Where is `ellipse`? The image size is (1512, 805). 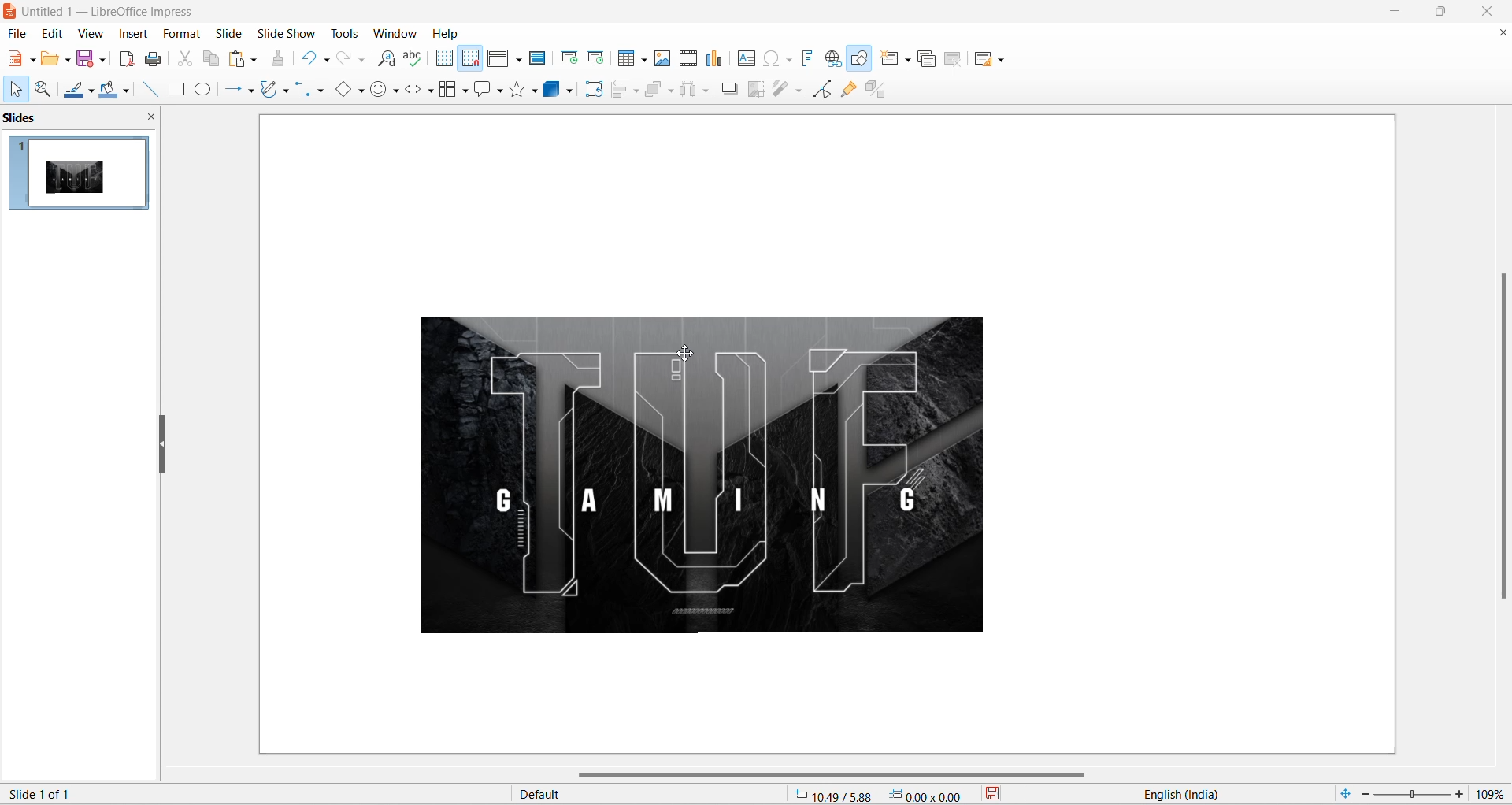 ellipse is located at coordinates (205, 89).